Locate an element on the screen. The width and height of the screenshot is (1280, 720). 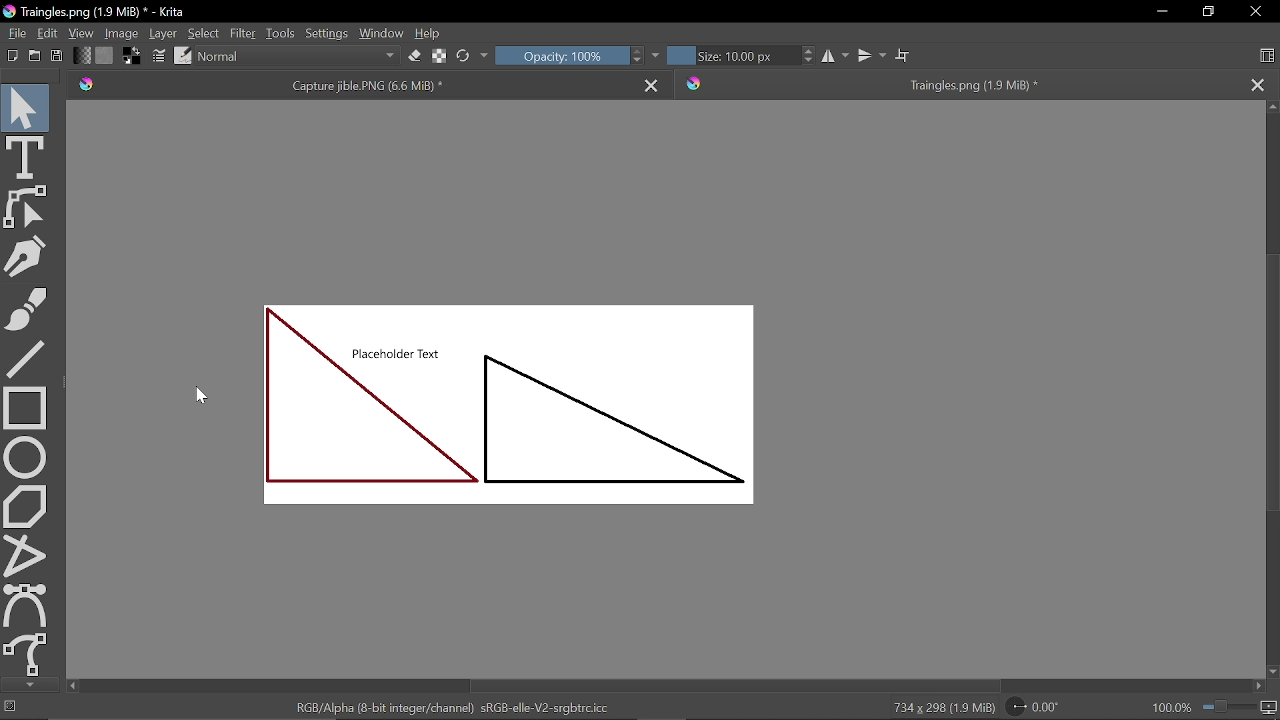
RGB/Alpha (8 - bit integer/channel) sRGB is located at coordinates (455, 707).